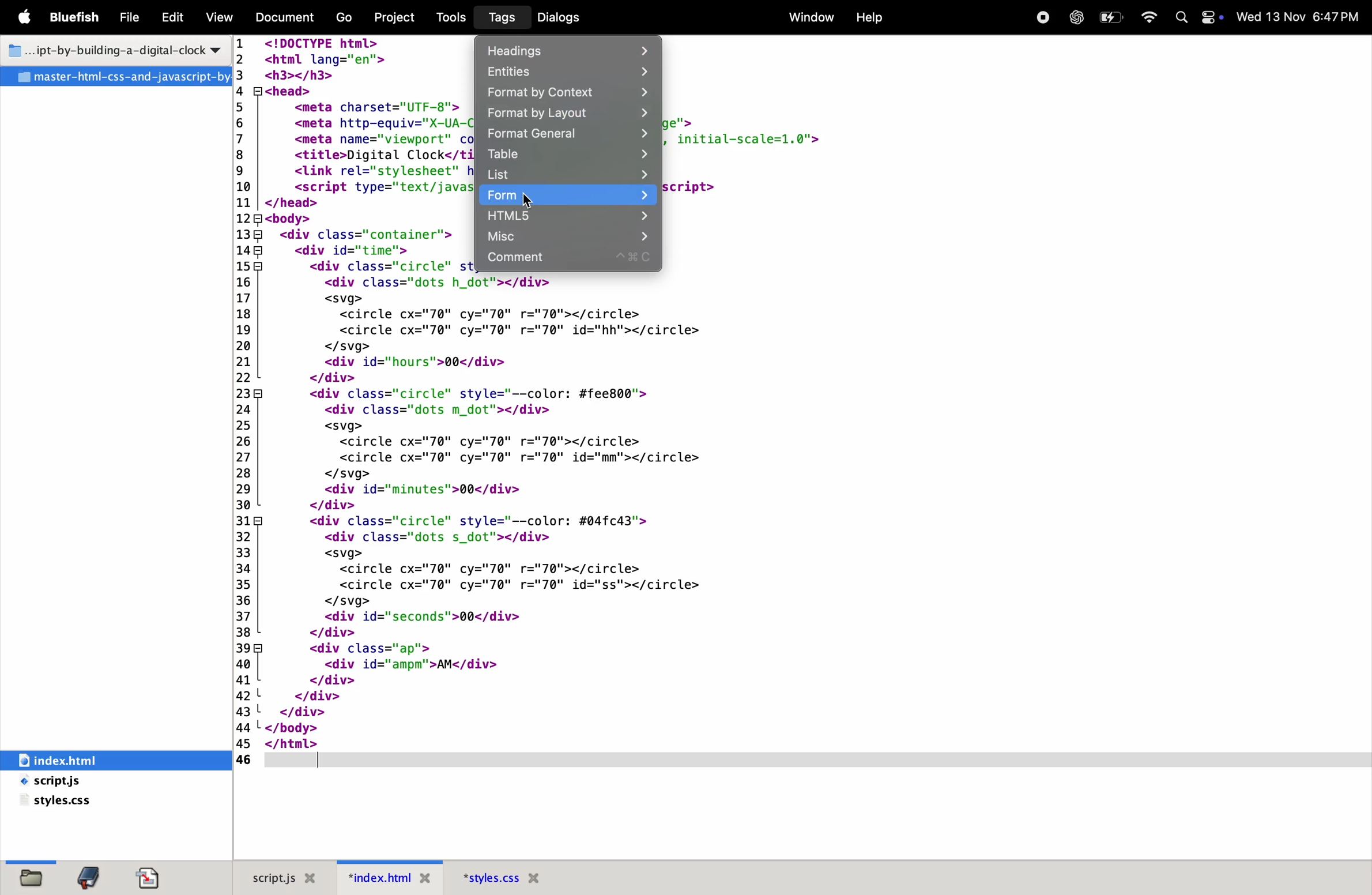 Image resolution: width=1372 pixels, height=895 pixels. Describe the element at coordinates (566, 135) in the screenshot. I see `format general` at that location.